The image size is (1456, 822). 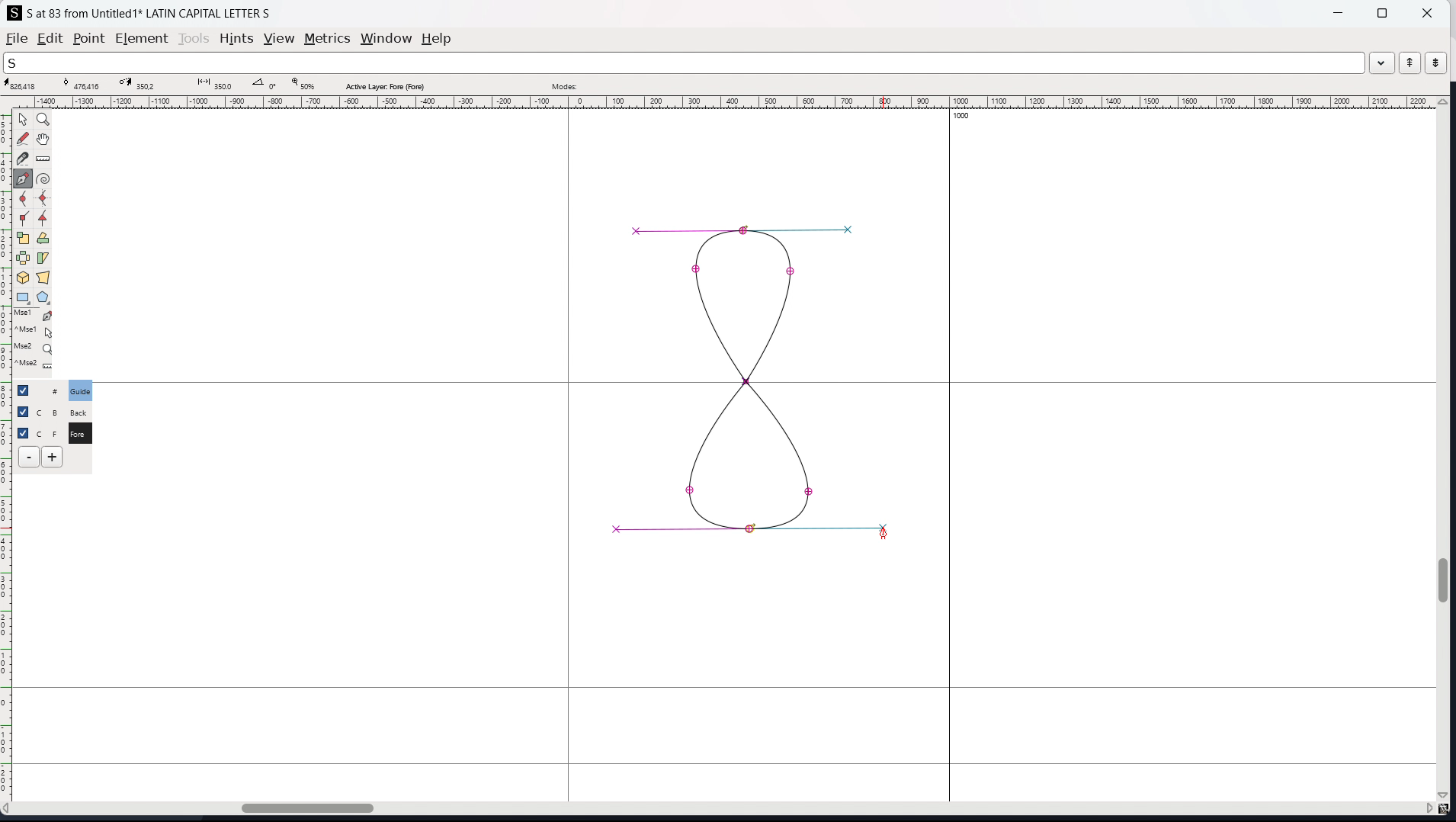 What do you see at coordinates (386, 39) in the screenshot?
I see `window` at bounding box center [386, 39].